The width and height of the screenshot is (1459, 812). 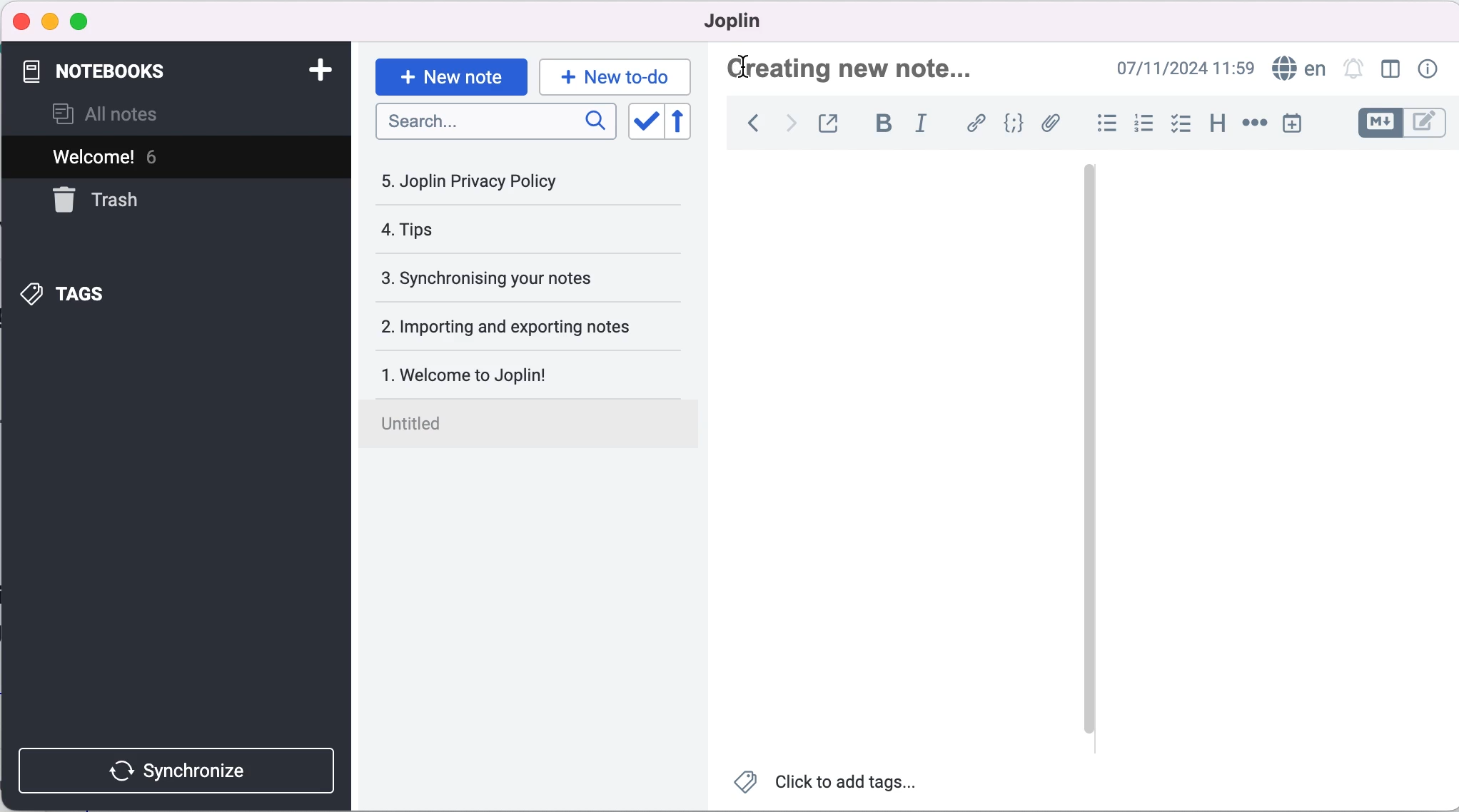 What do you see at coordinates (86, 20) in the screenshot?
I see `maximize` at bounding box center [86, 20].